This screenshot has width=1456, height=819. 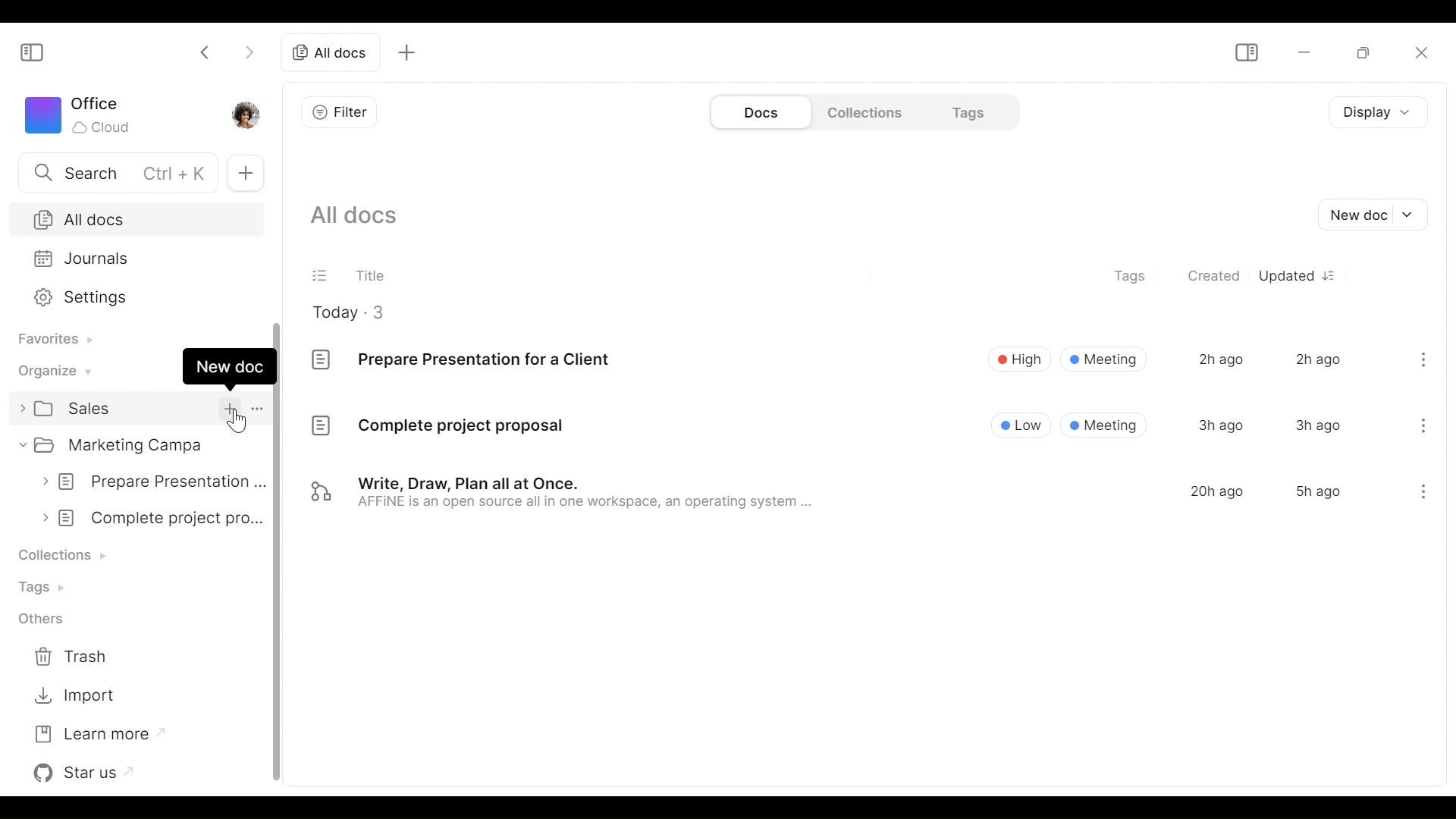 What do you see at coordinates (133, 258) in the screenshot?
I see `Journals` at bounding box center [133, 258].